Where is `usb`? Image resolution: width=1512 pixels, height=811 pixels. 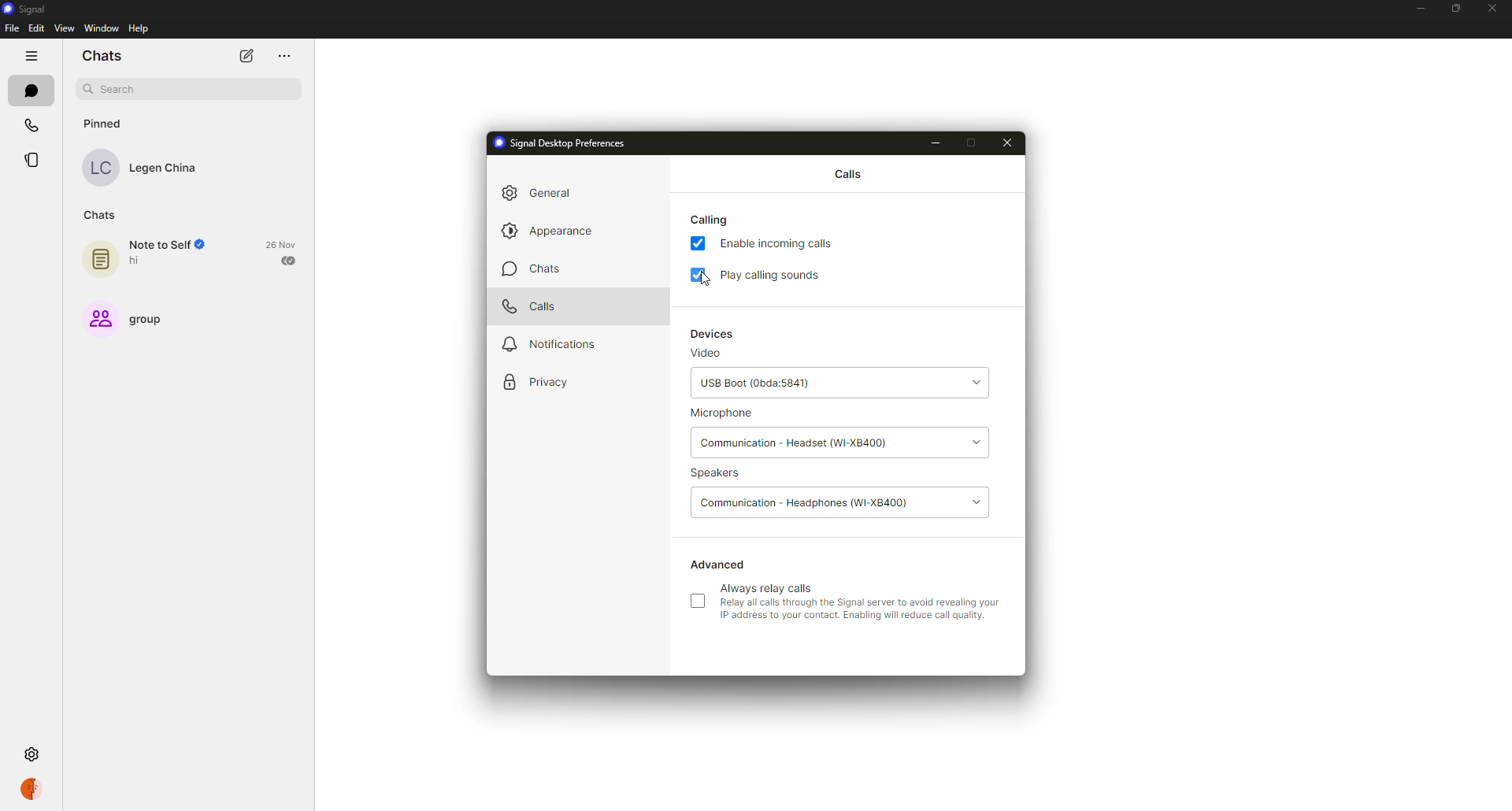 usb is located at coordinates (758, 383).